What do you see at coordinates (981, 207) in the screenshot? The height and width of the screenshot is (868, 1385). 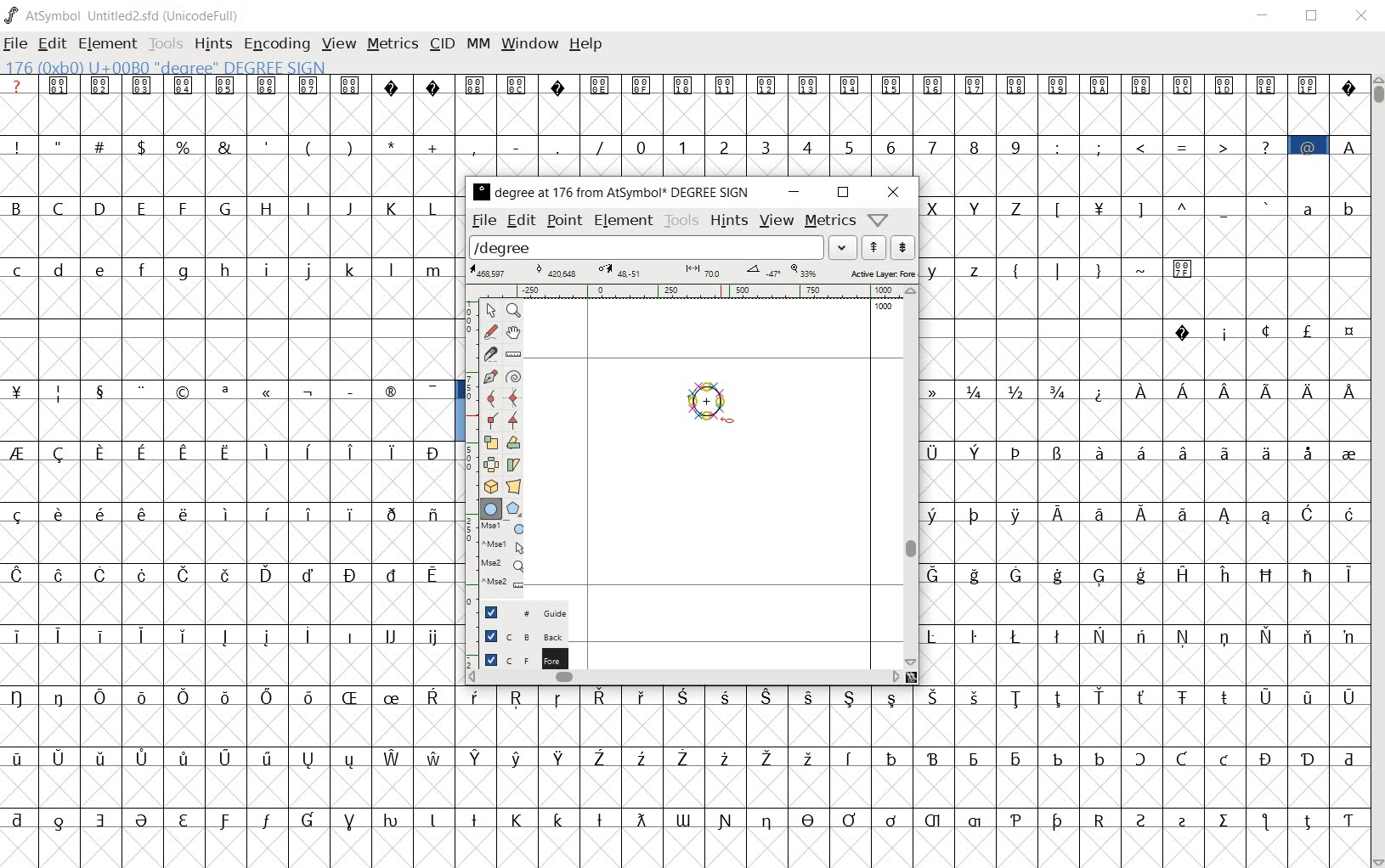 I see `capital letter X Y Z` at bounding box center [981, 207].